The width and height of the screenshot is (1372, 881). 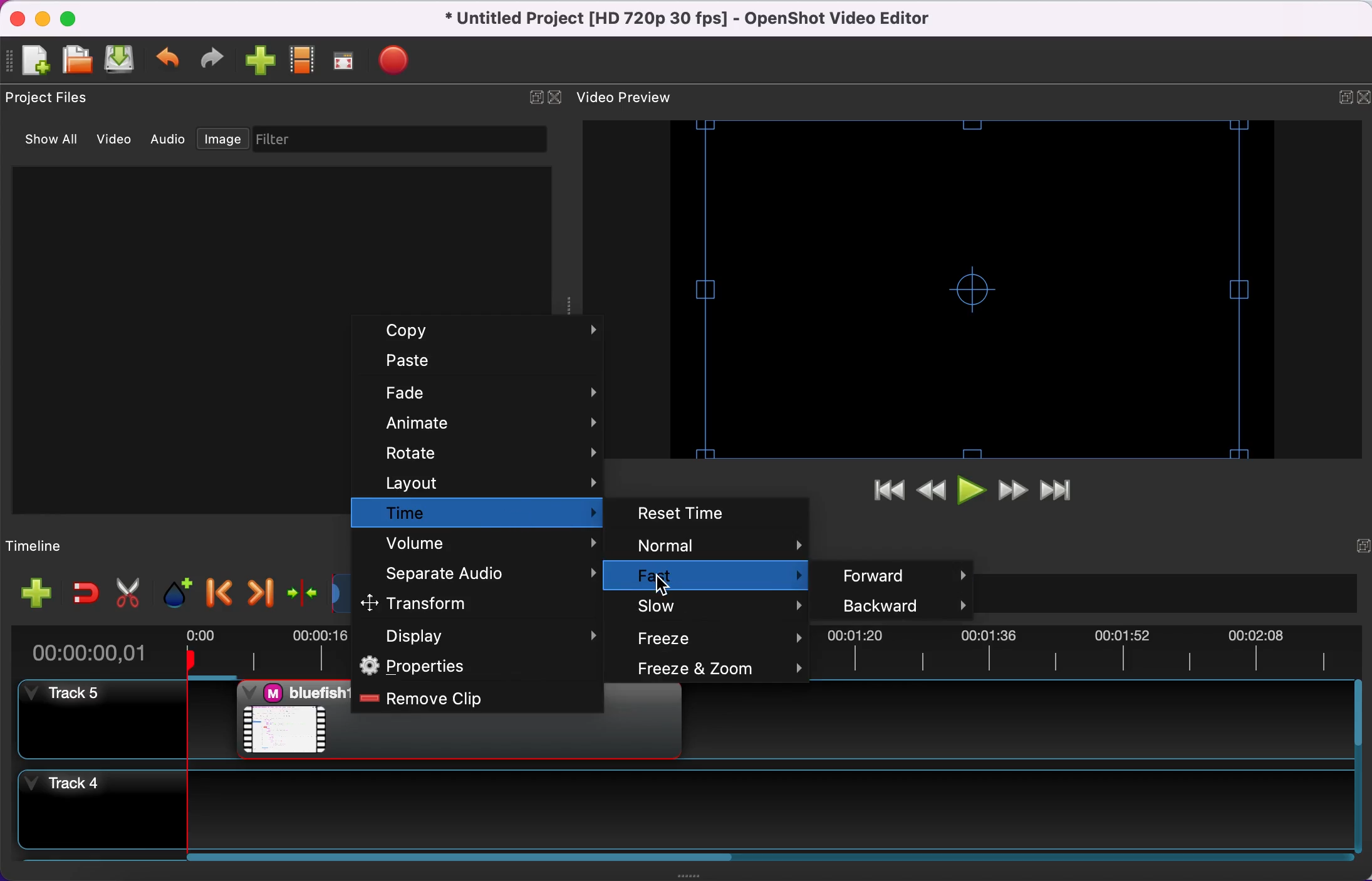 What do you see at coordinates (479, 667) in the screenshot?
I see `properties` at bounding box center [479, 667].